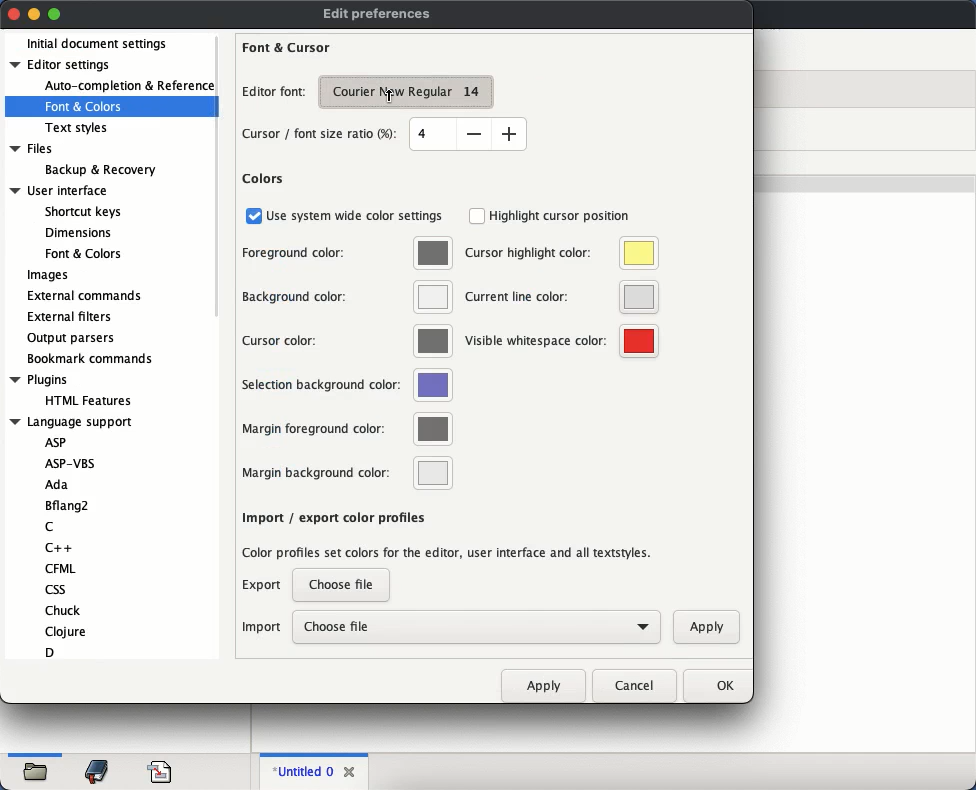 Image resolution: width=976 pixels, height=790 pixels. What do you see at coordinates (73, 317) in the screenshot?
I see `external filters` at bounding box center [73, 317].